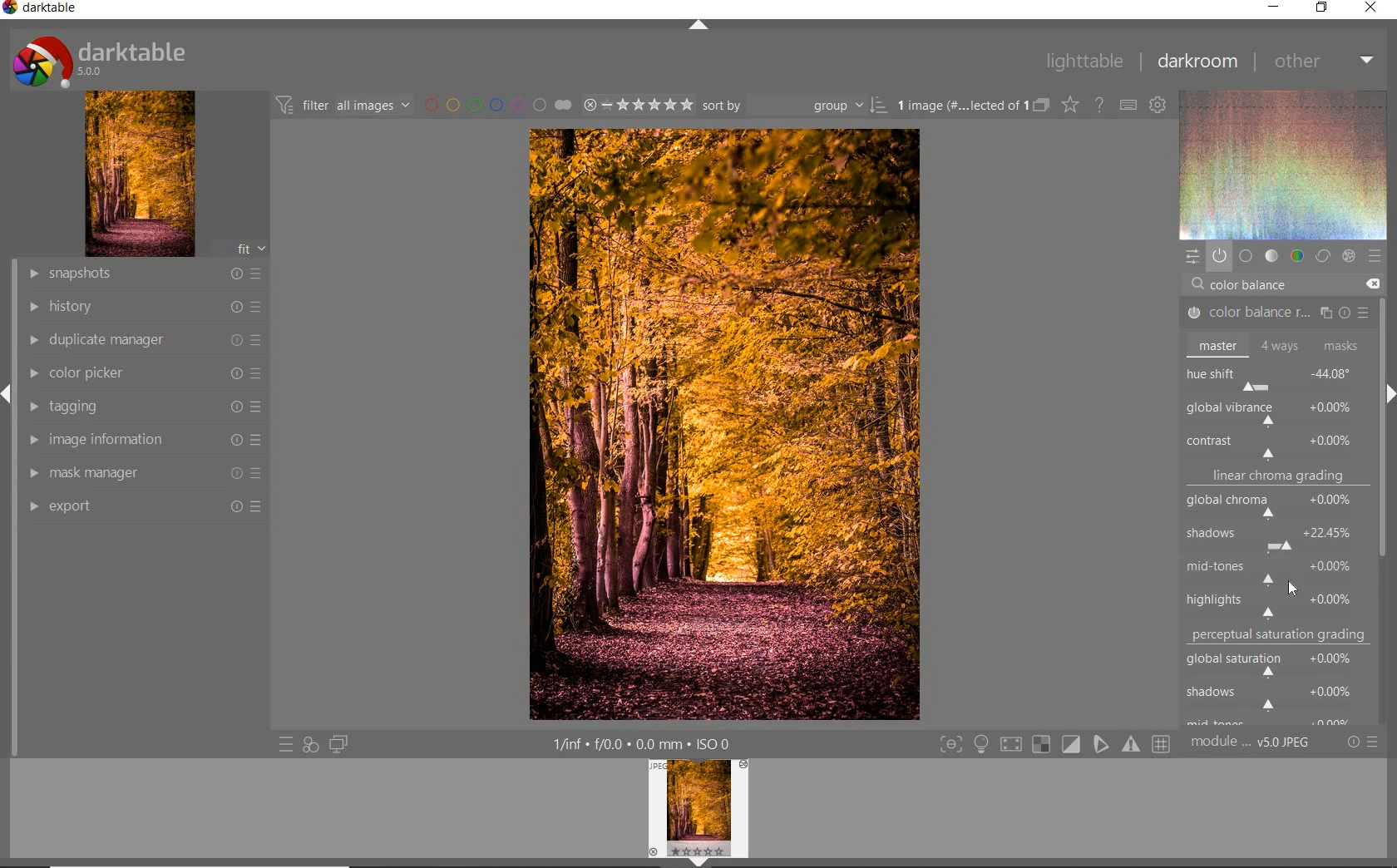  I want to click on filter images, so click(342, 106).